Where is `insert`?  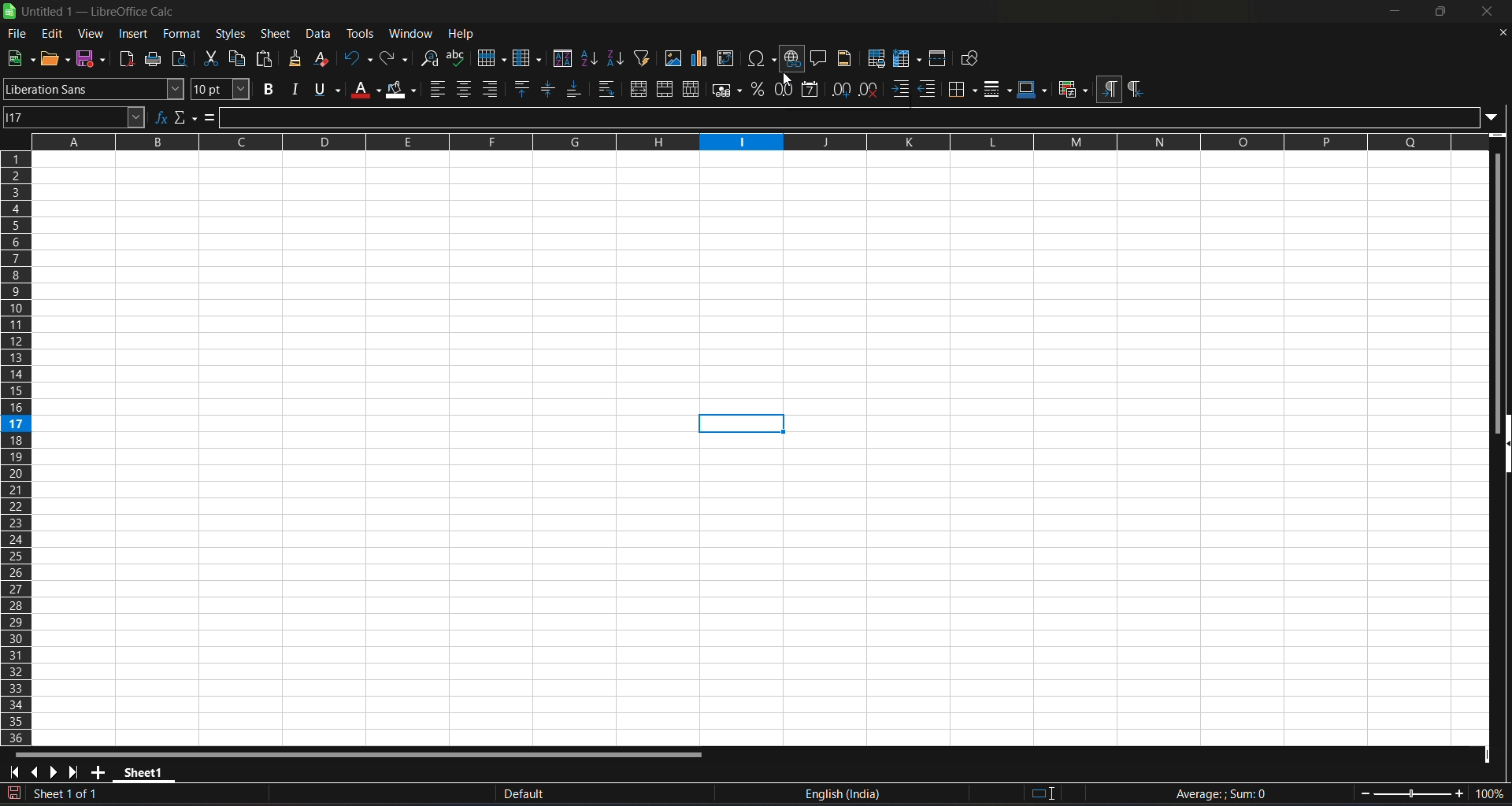
insert is located at coordinates (135, 34).